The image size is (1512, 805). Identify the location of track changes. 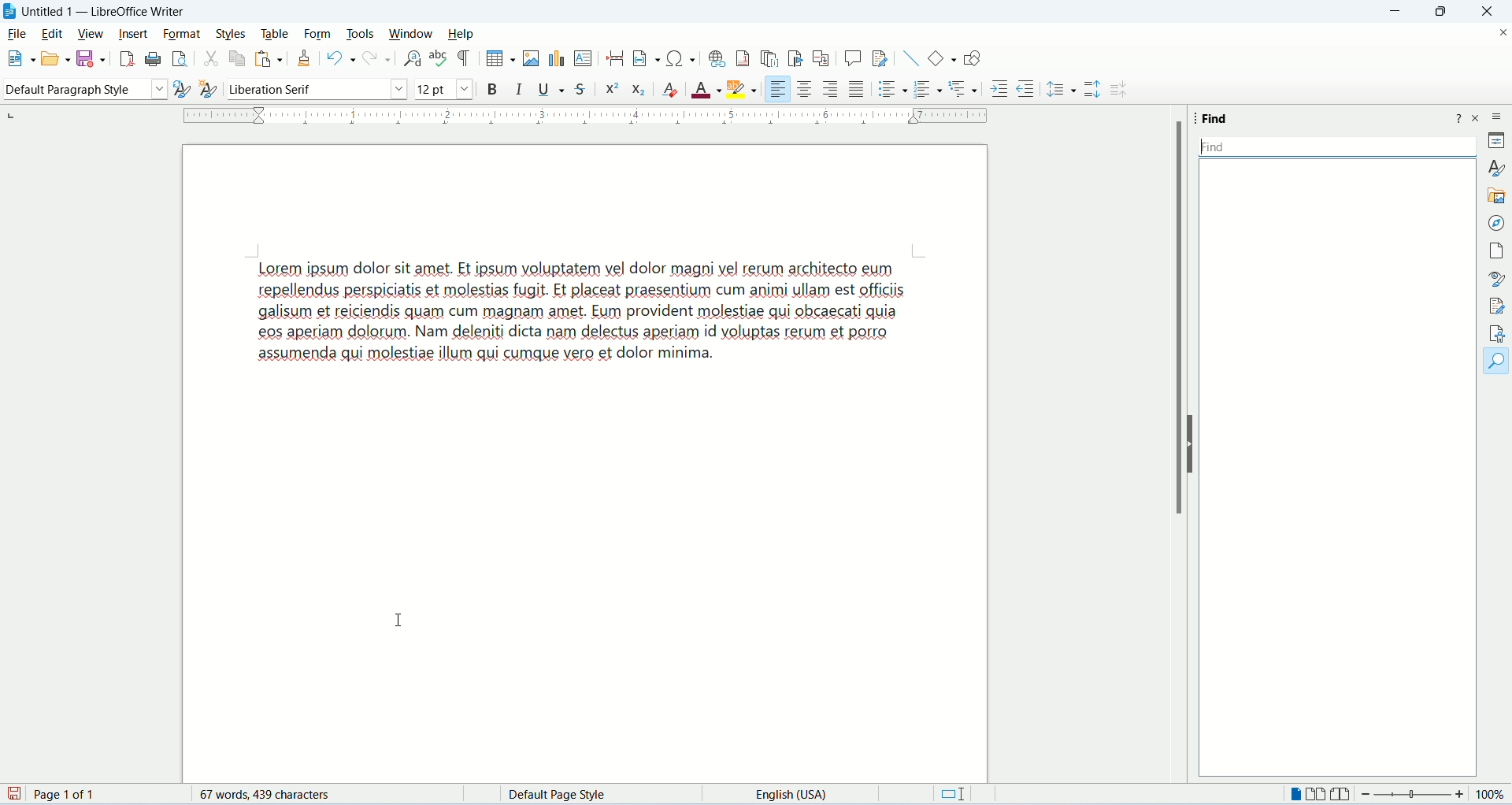
(882, 58).